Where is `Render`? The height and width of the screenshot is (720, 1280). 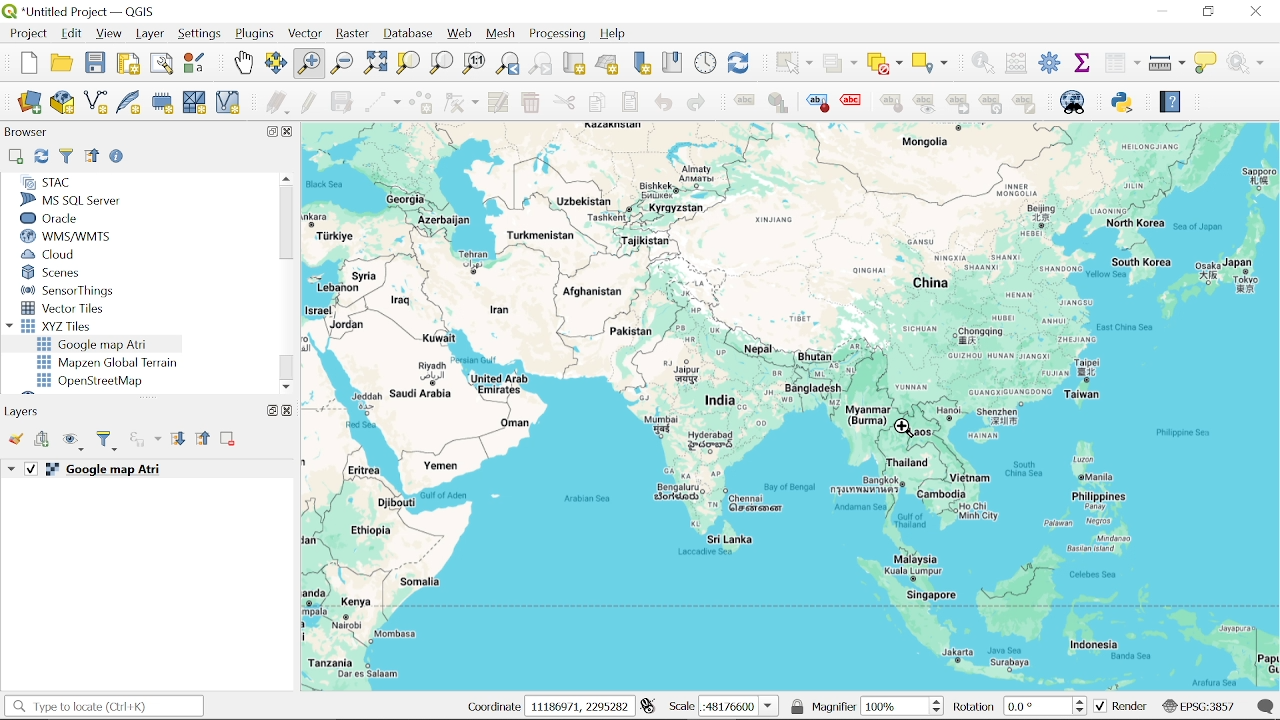
Render is located at coordinates (1121, 707).